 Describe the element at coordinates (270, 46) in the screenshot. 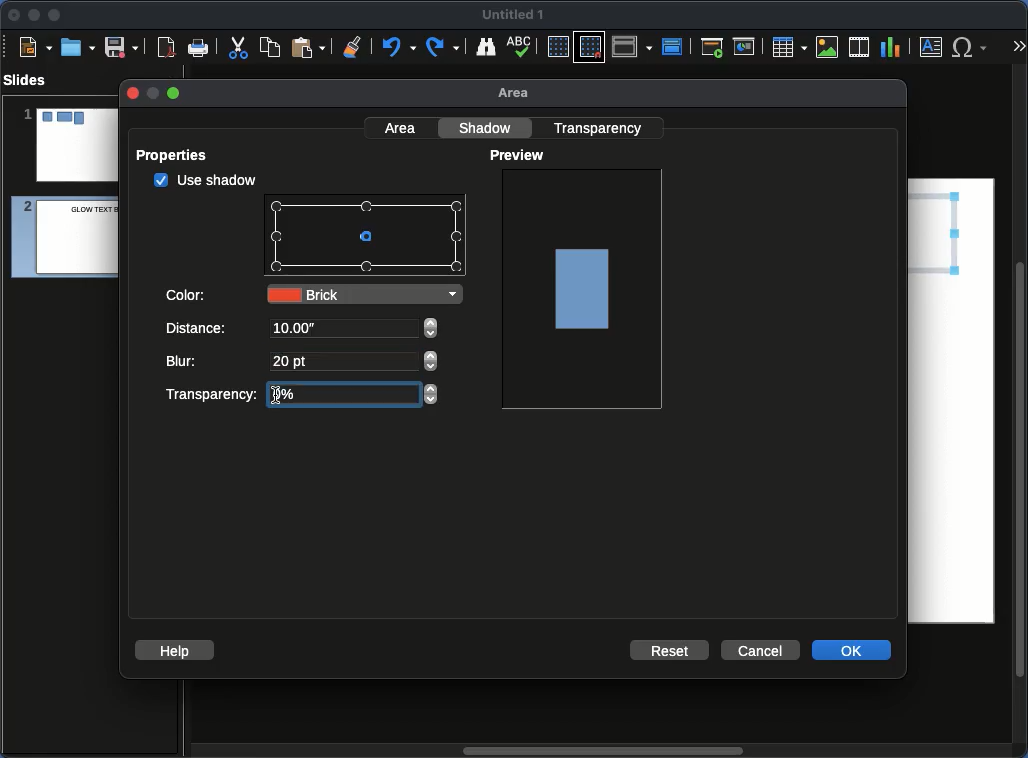

I see `Copy` at that location.